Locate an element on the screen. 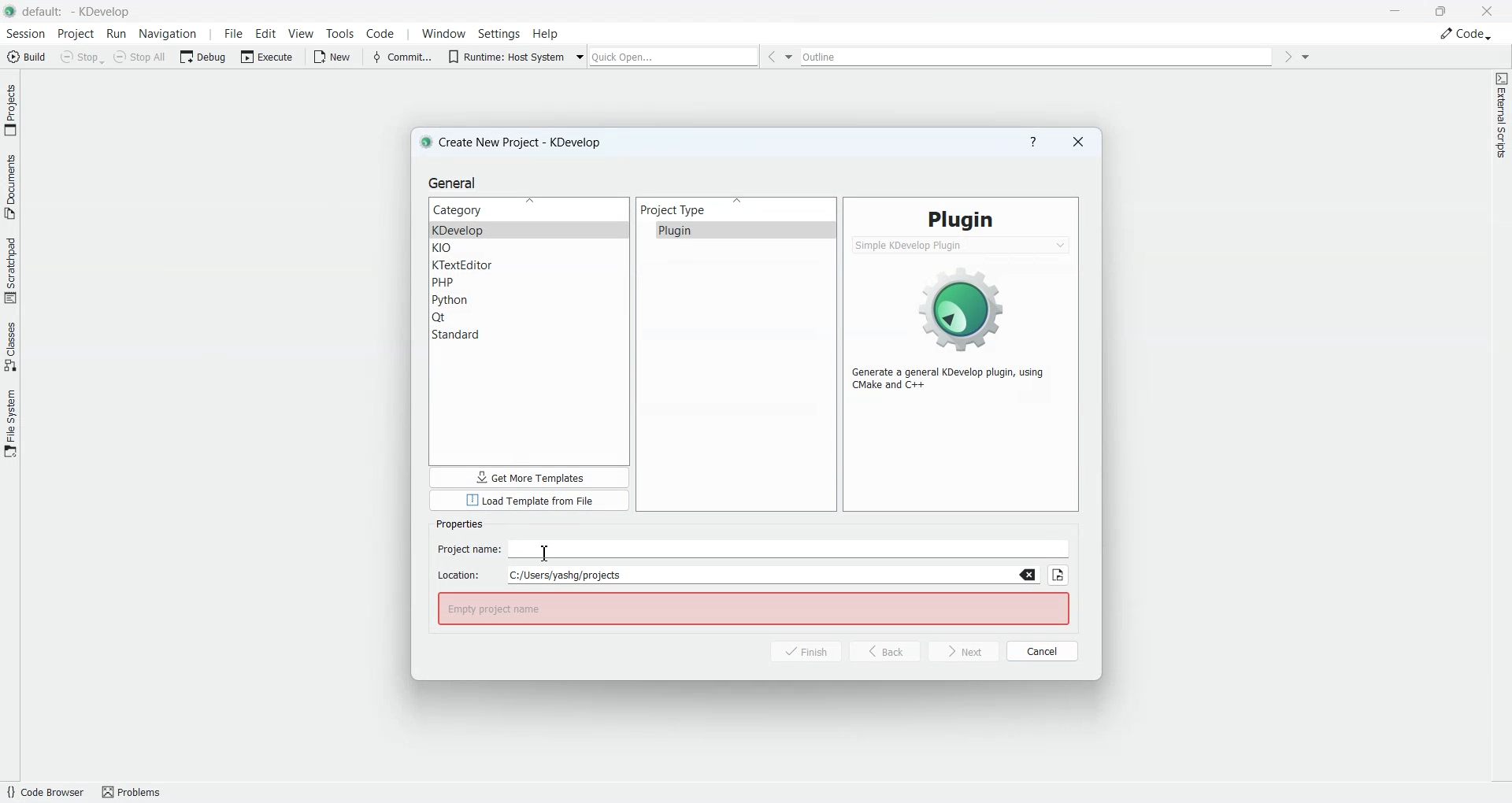 This screenshot has width=1512, height=803. PHP is located at coordinates (529, 283).